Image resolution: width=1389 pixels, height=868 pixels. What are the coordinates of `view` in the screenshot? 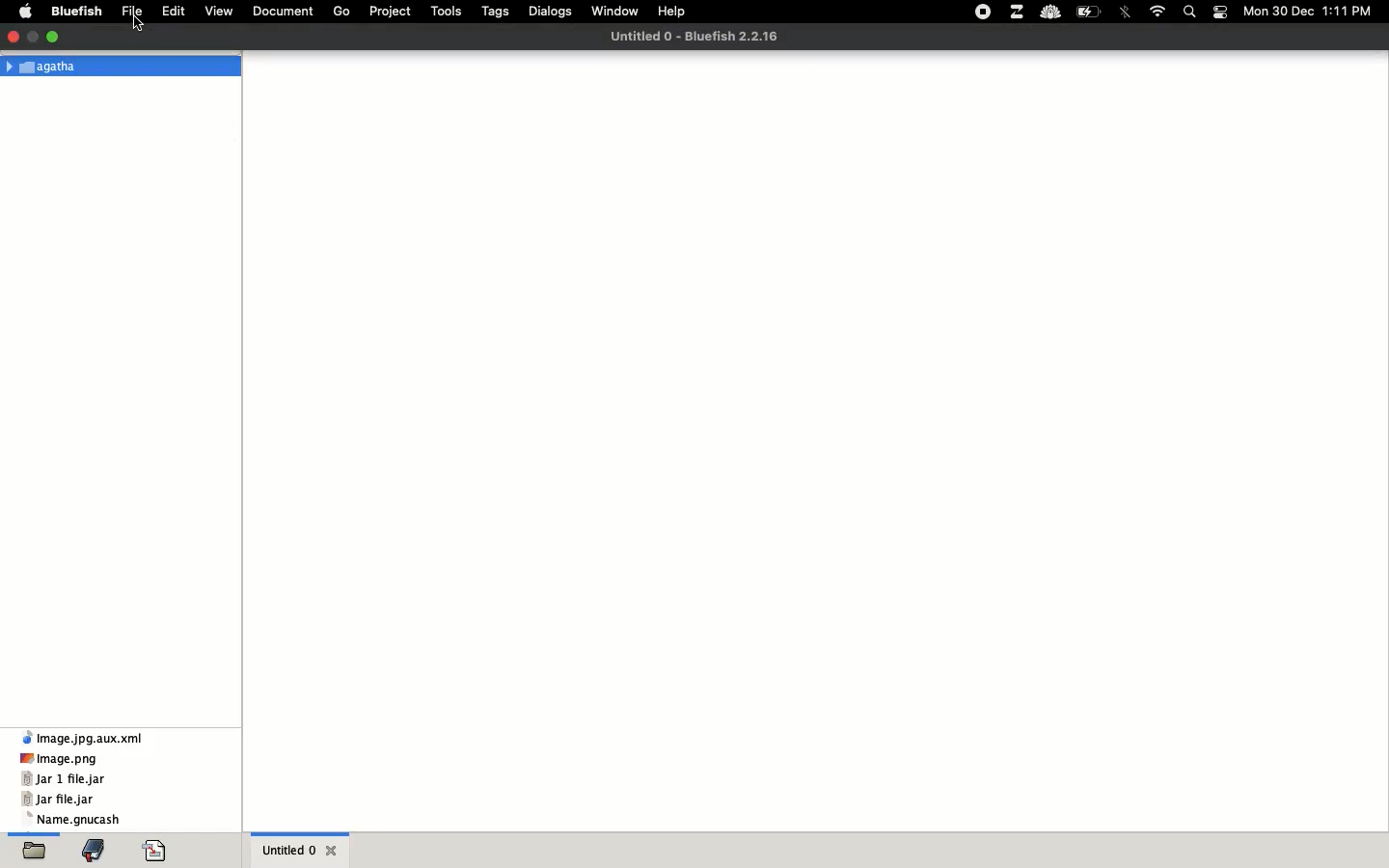 It's located at (222, 9).